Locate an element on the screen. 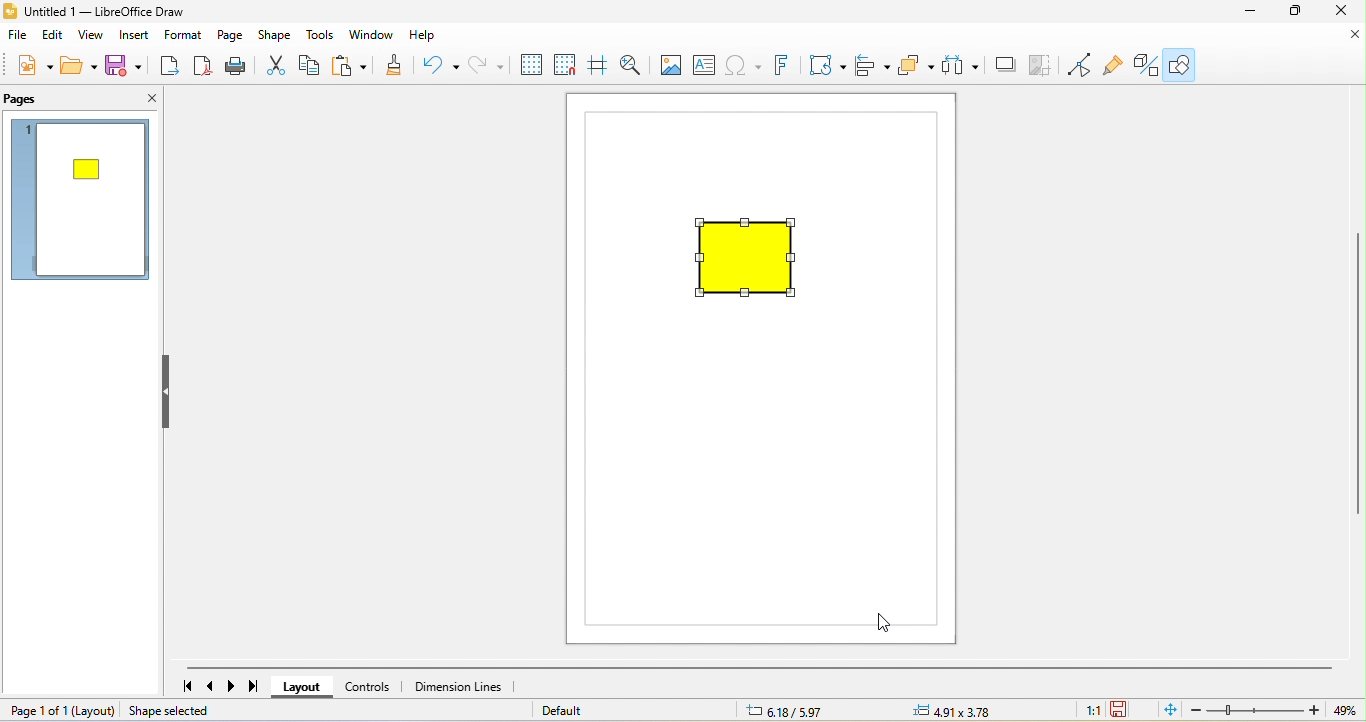 The image size is (1366, 722). paste is located at coordinates (352, 69).